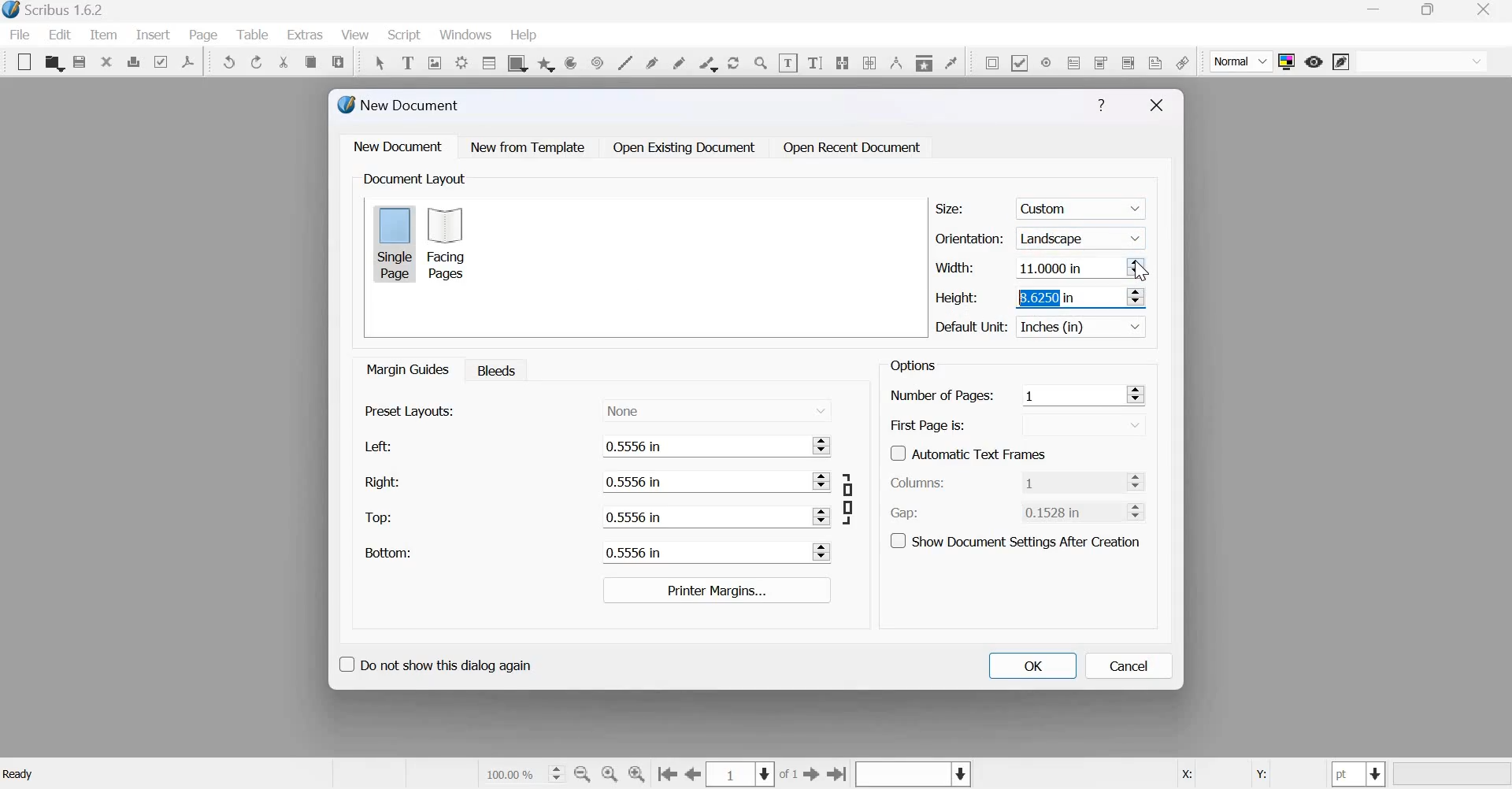  I want to click on Bottom:, so click(387, 552).